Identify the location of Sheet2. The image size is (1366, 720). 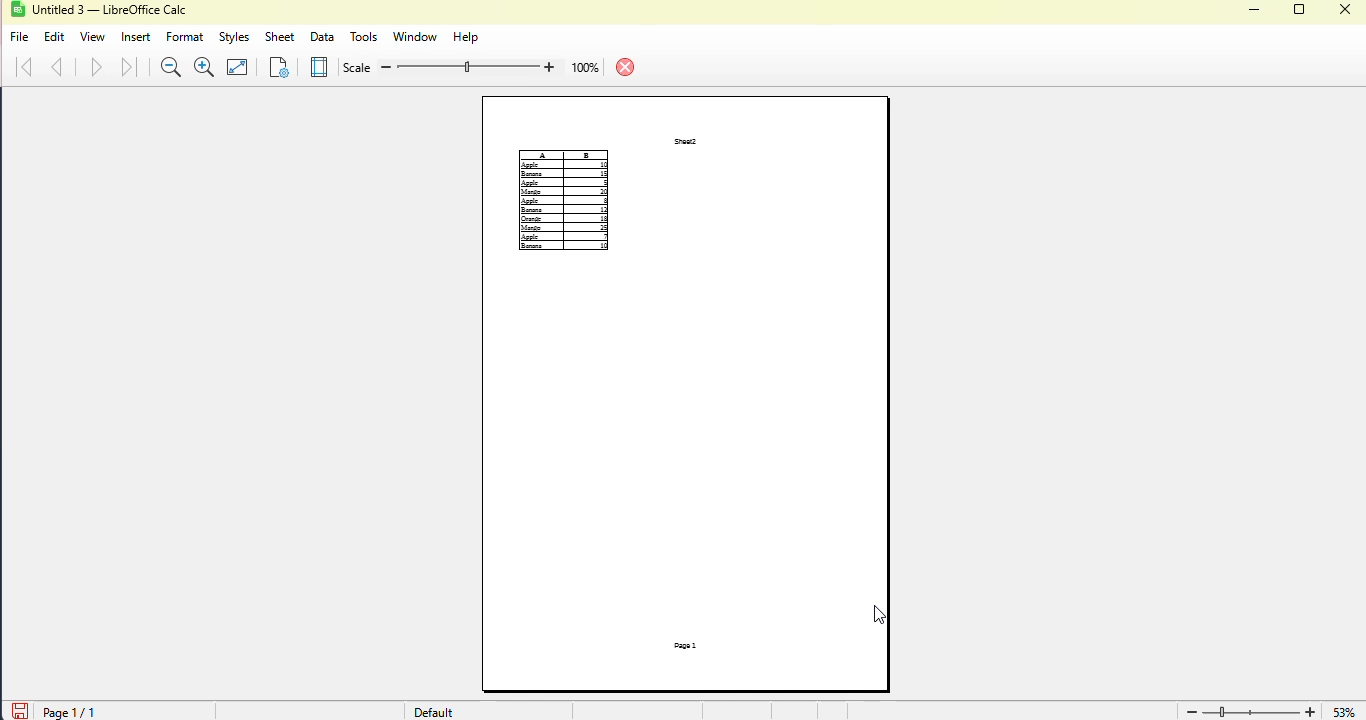
(686, 141).